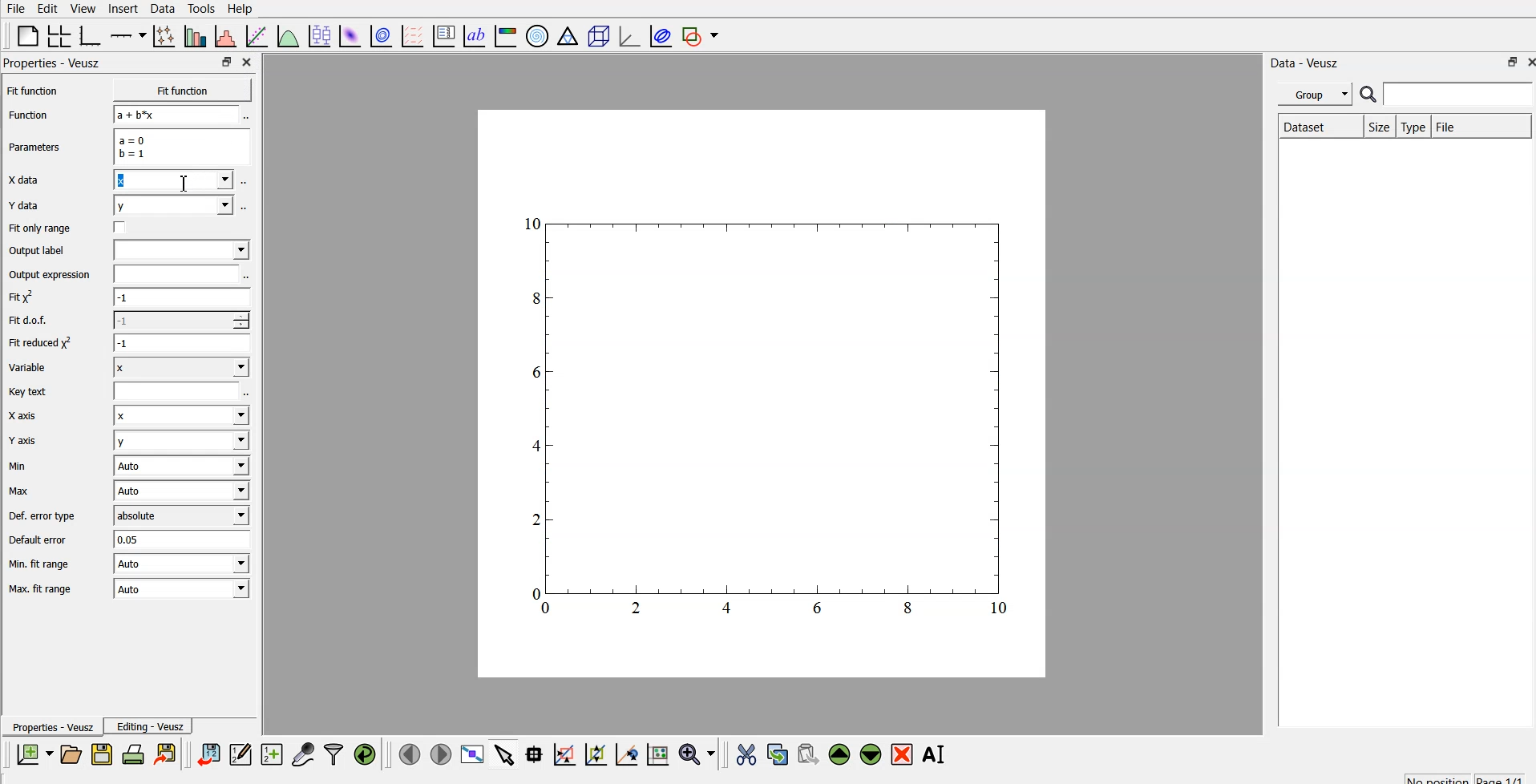 This screenshot has height=784, width=1536. Describe the element at coordinates (440, 756) in the screenshot. I see `next page` at that location.